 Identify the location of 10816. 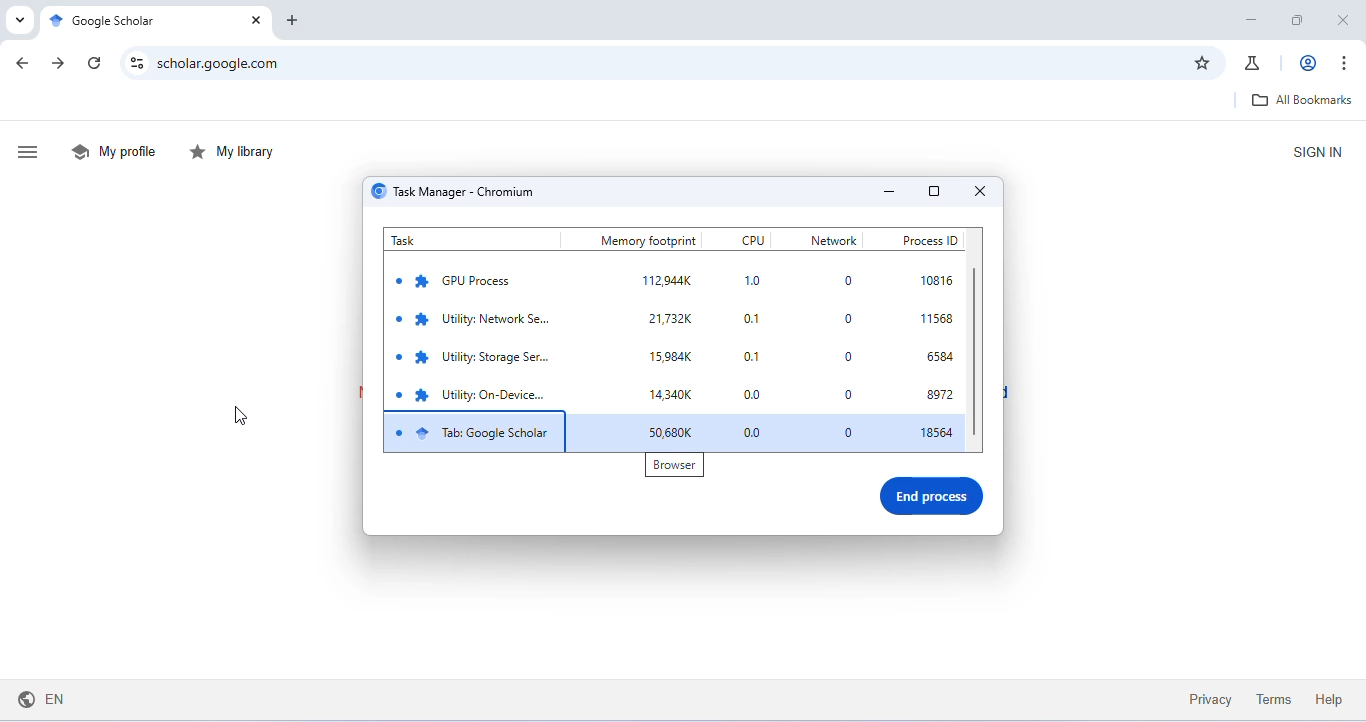
(939, 281).